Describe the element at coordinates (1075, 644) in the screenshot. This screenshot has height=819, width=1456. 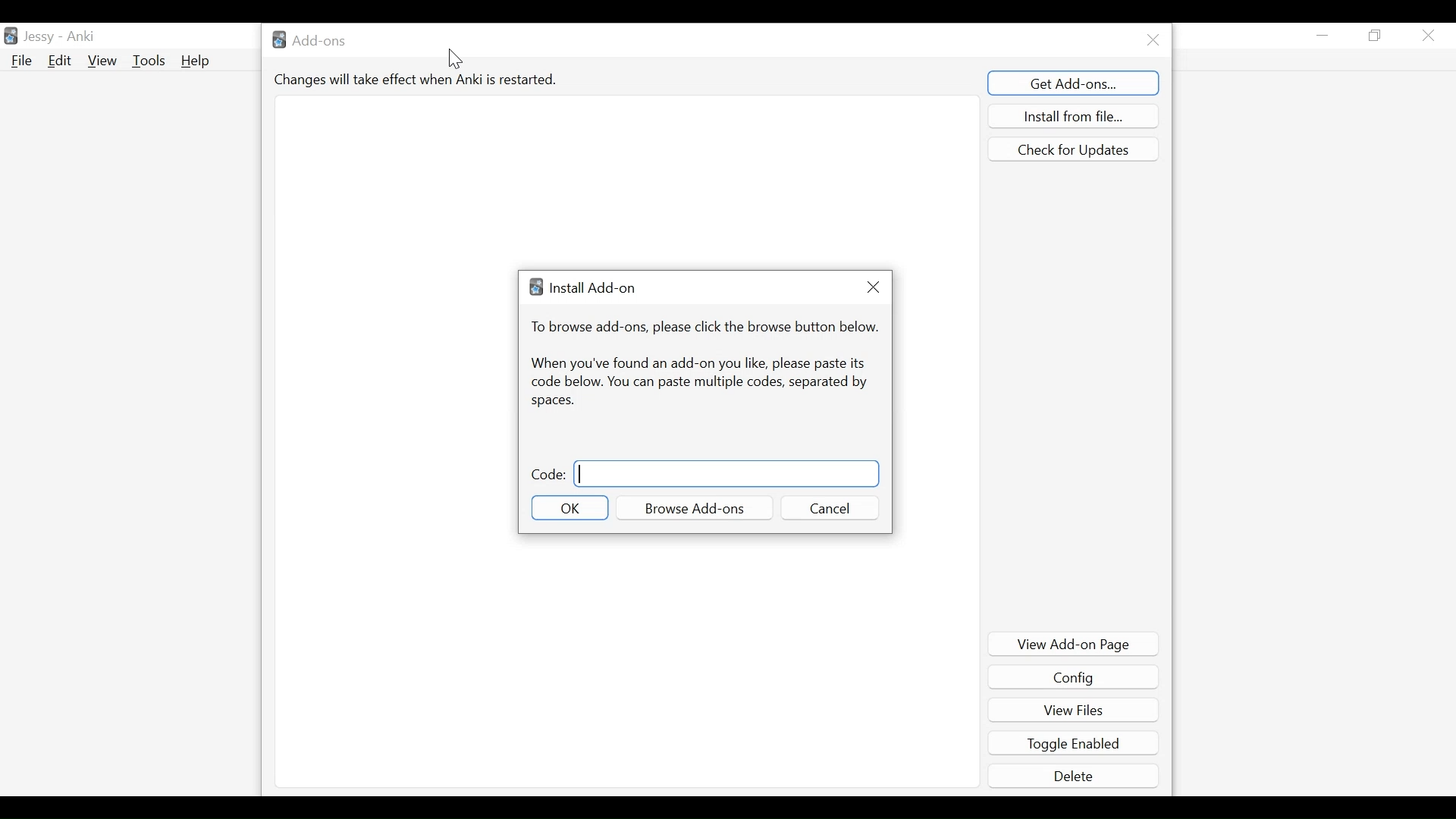
I see `View Add-on Page` at that location.